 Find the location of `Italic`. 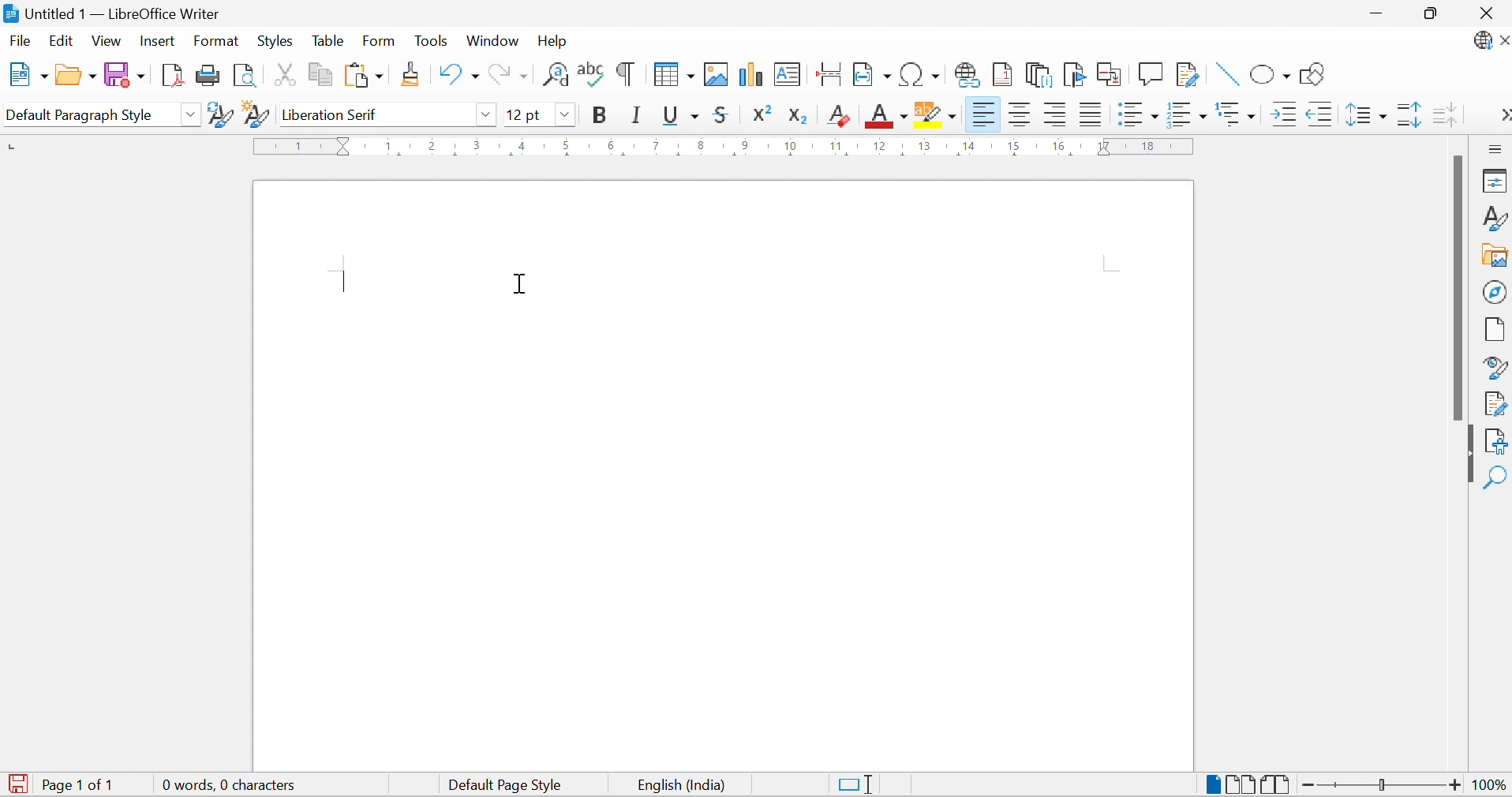

Italic is located at coordinates (638, 114).